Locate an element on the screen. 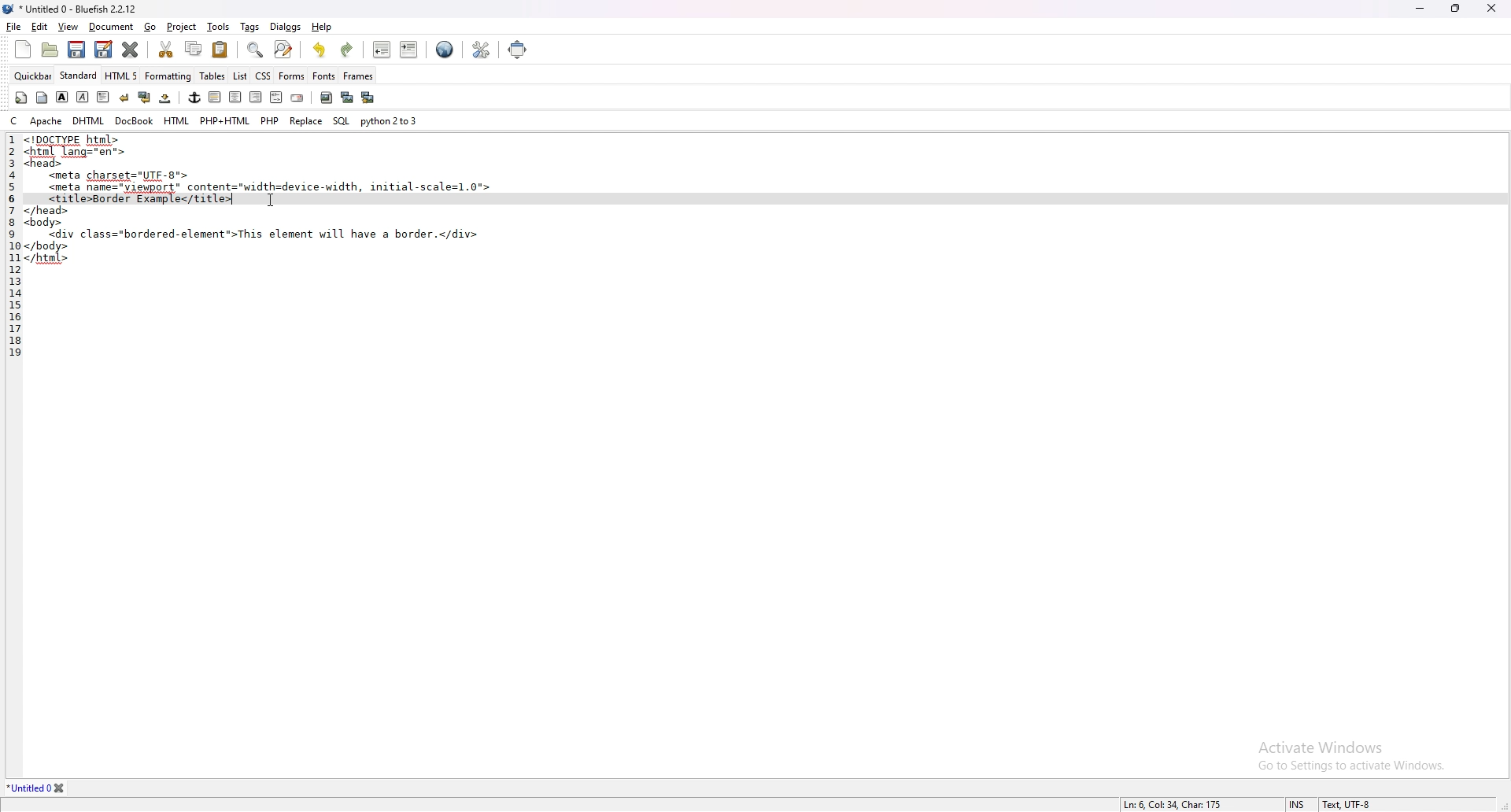  left justify is located at coordinates (216, 97).